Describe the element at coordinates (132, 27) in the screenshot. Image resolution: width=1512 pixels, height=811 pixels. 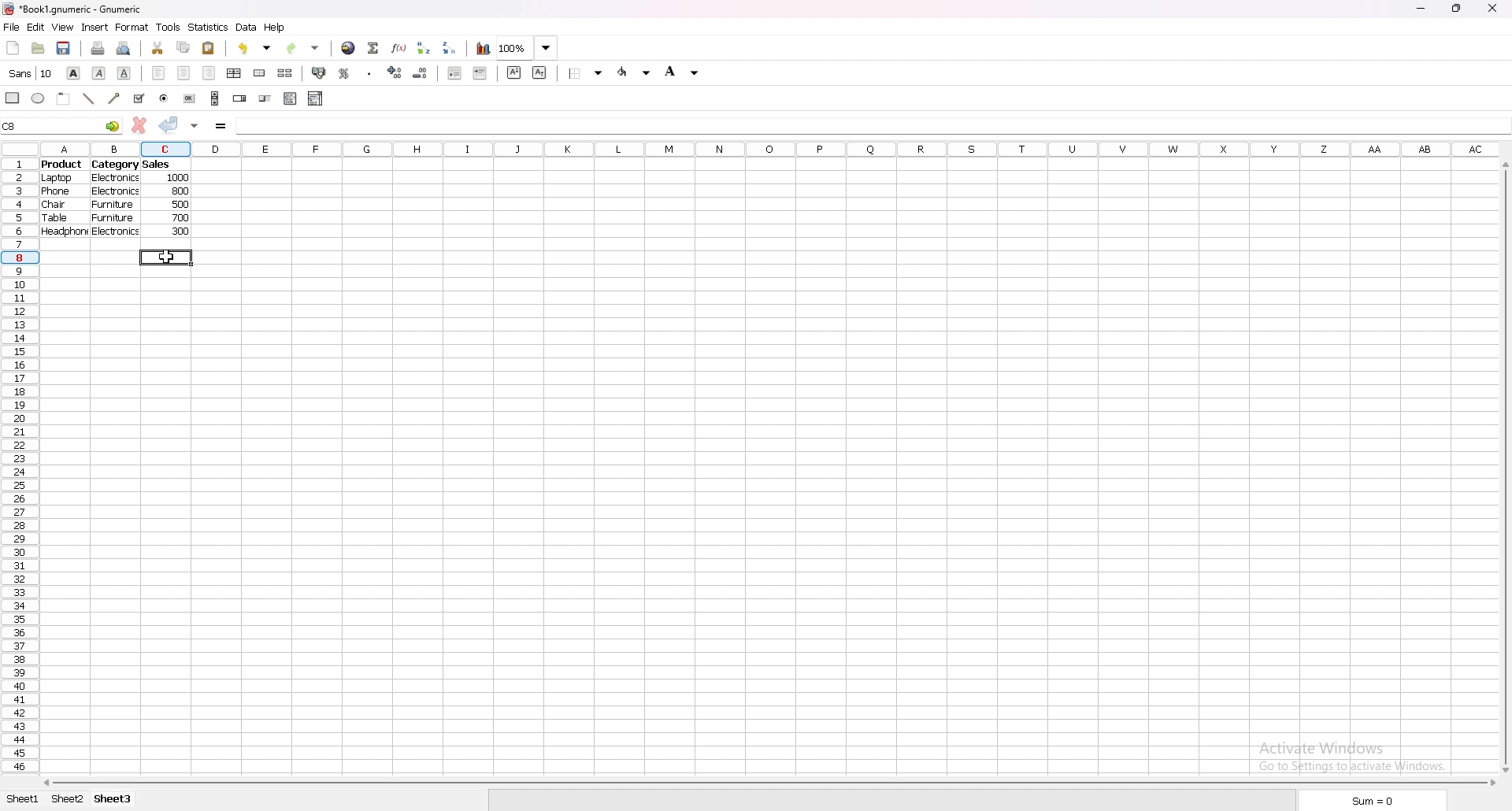
I see `format` at that location.